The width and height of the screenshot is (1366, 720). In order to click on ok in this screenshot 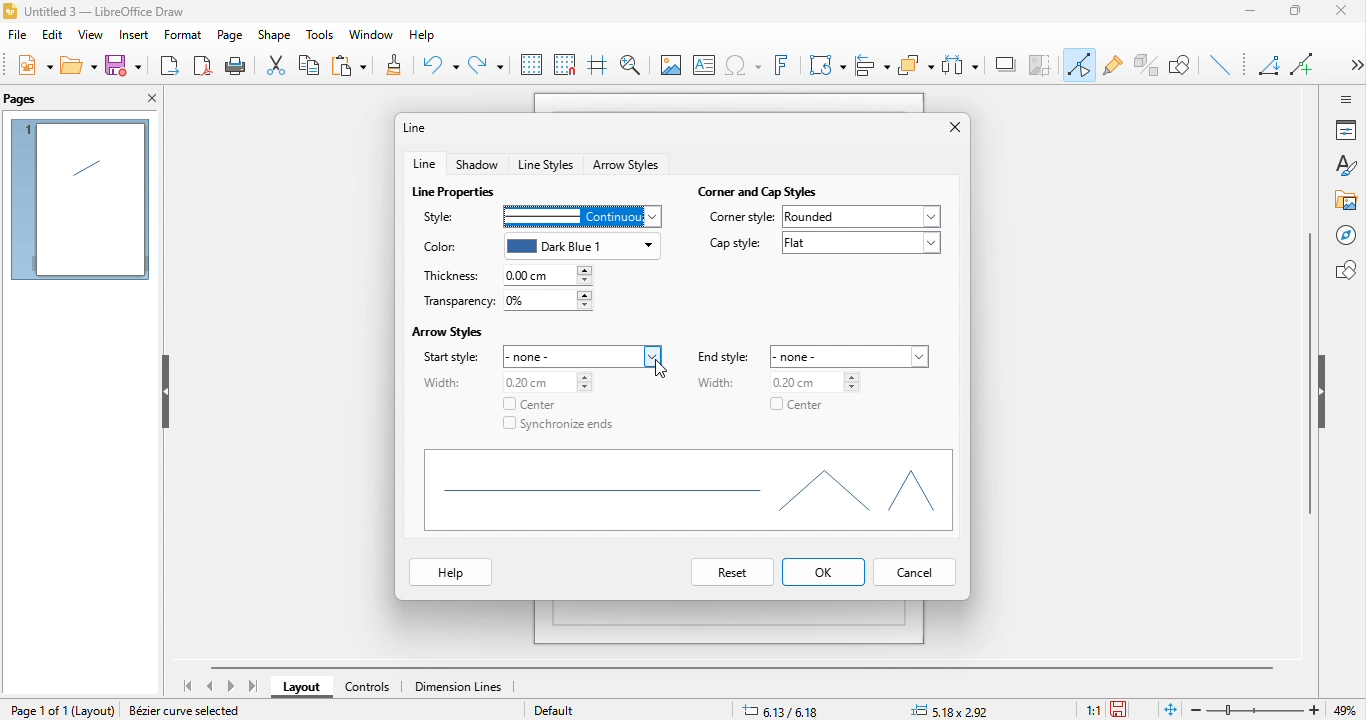, I will do `click(825, 571)`.